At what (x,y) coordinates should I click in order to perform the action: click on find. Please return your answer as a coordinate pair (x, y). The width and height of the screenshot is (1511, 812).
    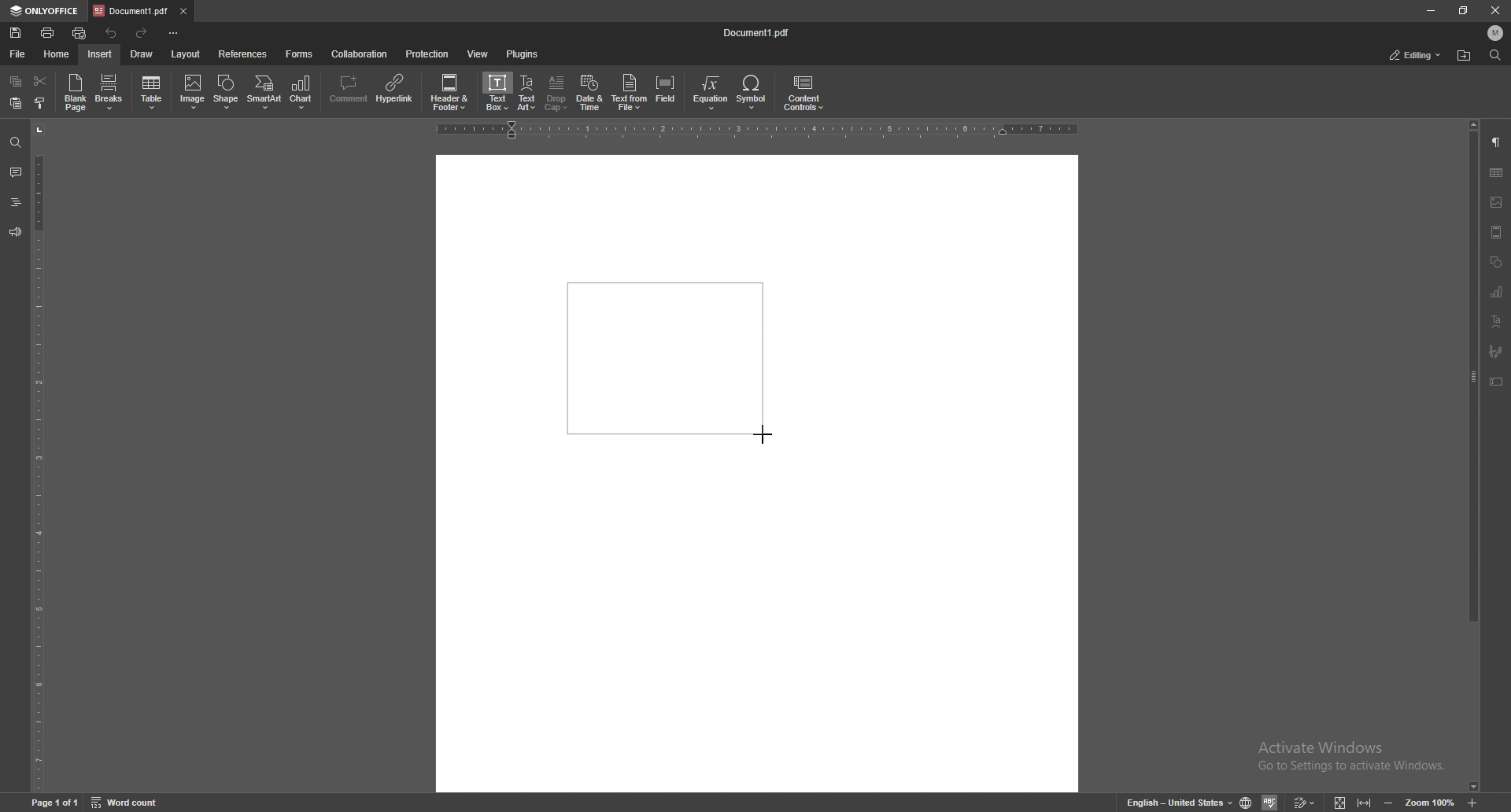
    Looking at the image, I should click on (14, 143).